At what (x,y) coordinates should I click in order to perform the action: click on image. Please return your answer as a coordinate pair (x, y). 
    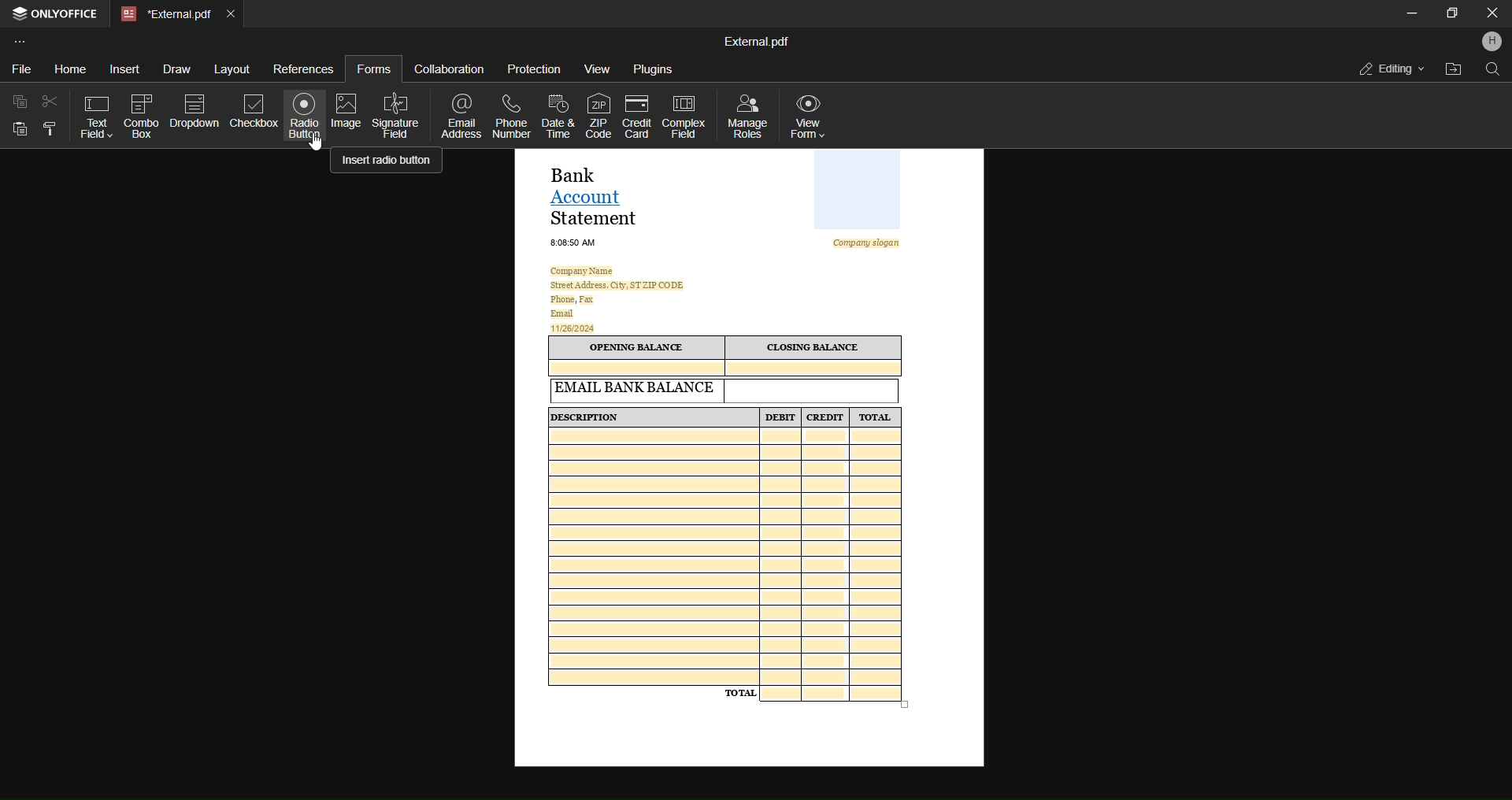
    Looking at the image, I should click on (346, 111).